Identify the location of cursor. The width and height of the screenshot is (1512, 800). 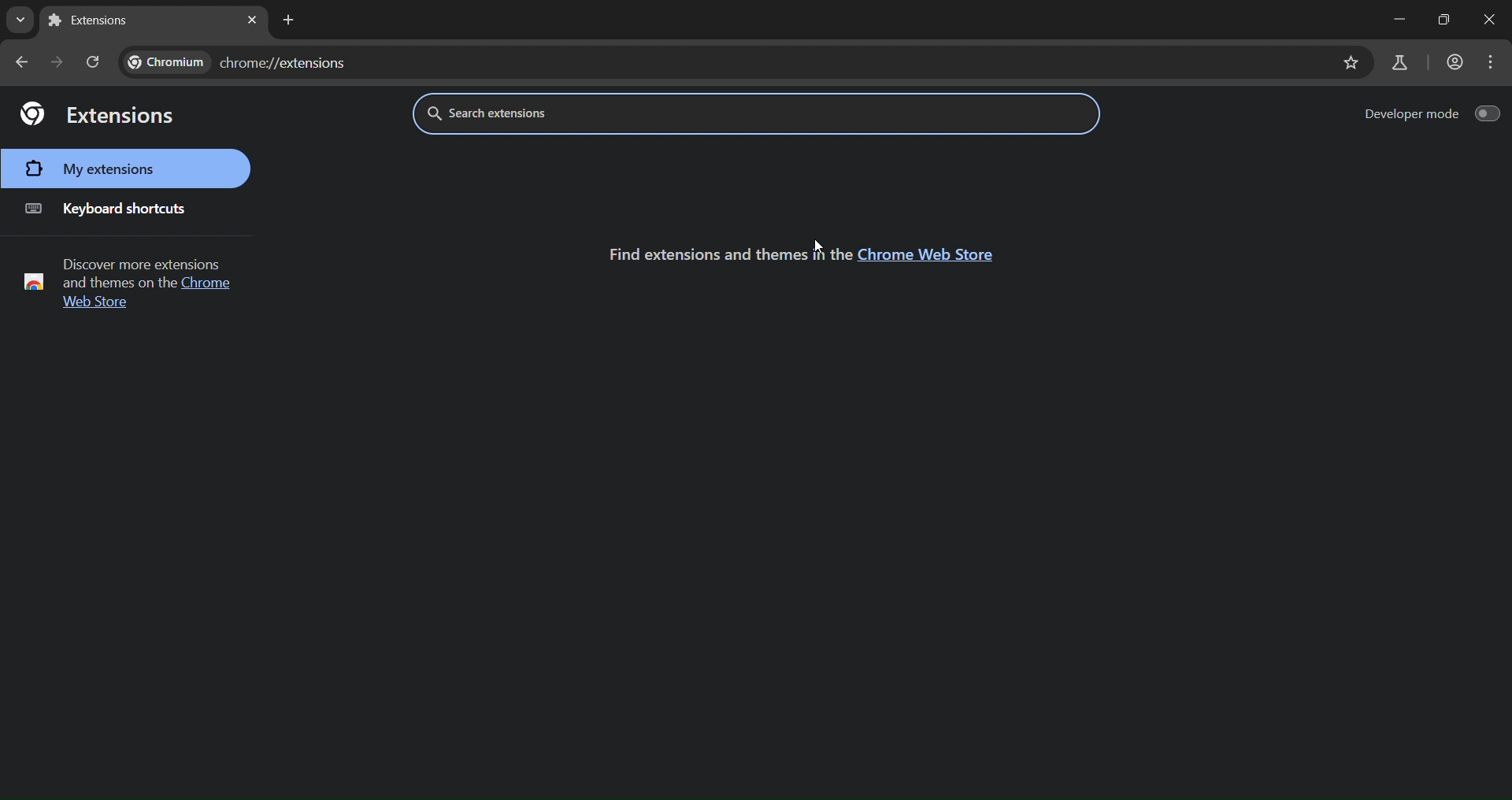
(817, 241).